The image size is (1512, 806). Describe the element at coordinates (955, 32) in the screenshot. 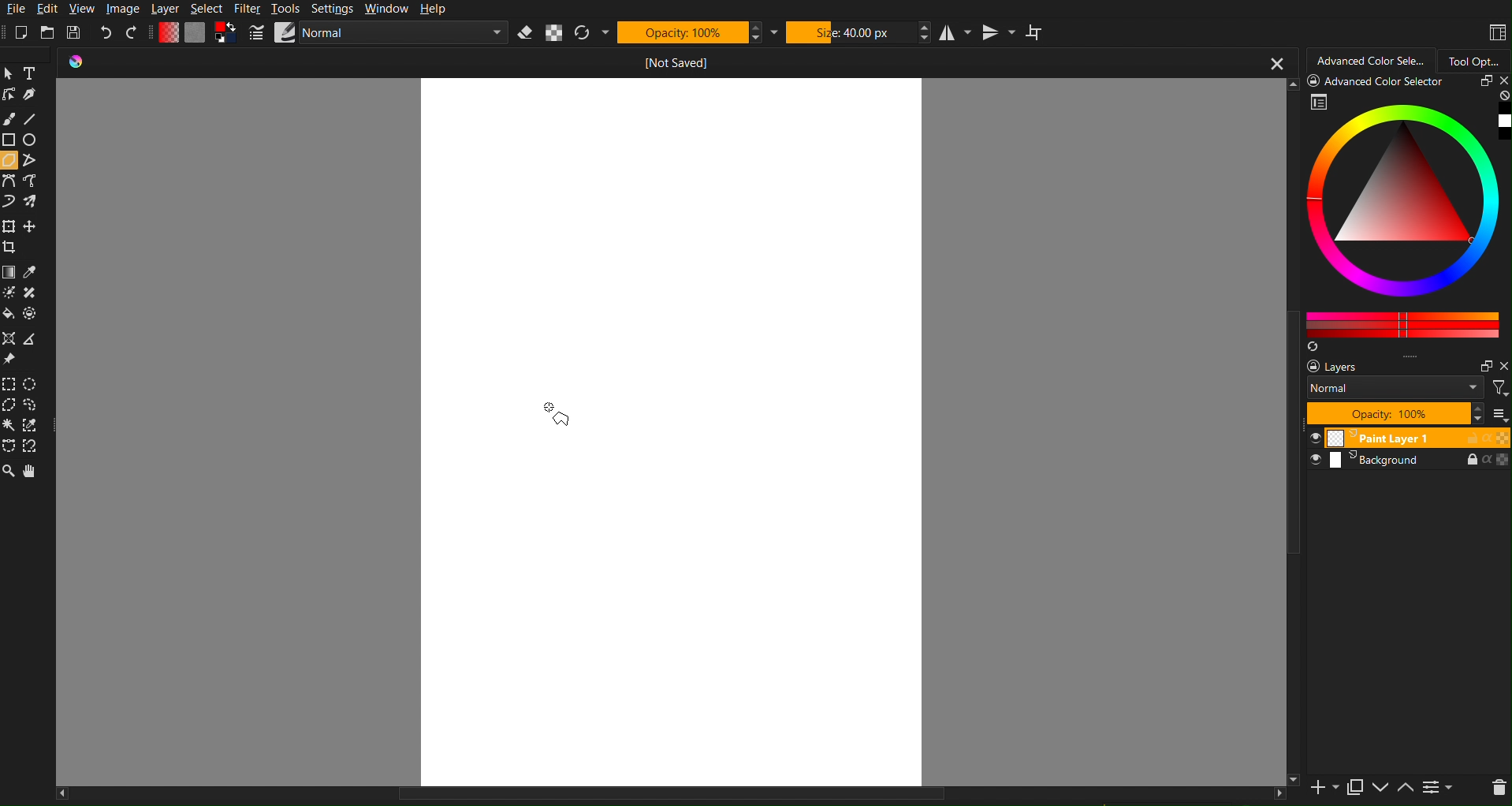

I see `Horizontal Mirror` at that location.